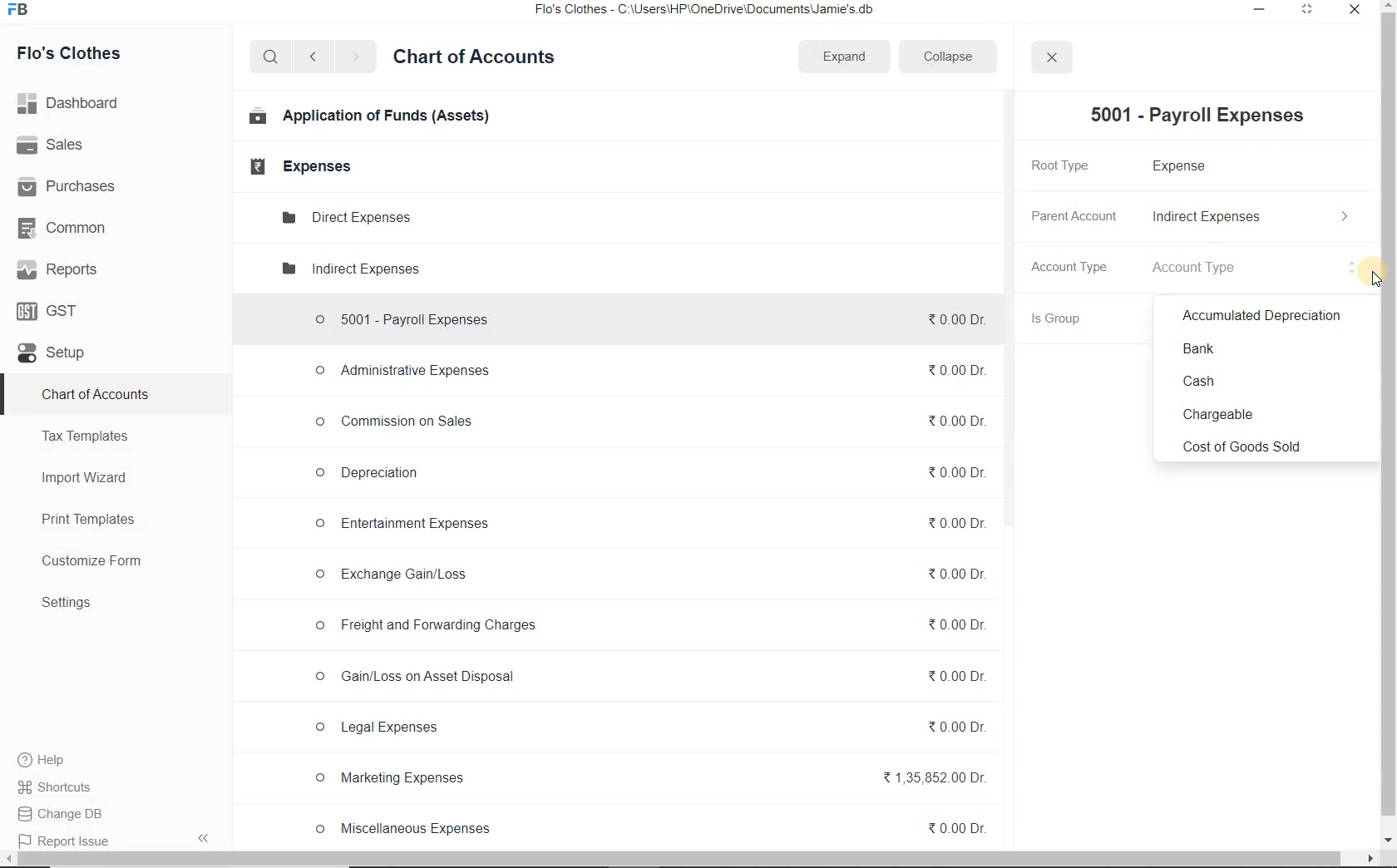  What do you see at coordinates (51, 760) in the screenshot?
I see ` Help` at bounding box center [51, 760].